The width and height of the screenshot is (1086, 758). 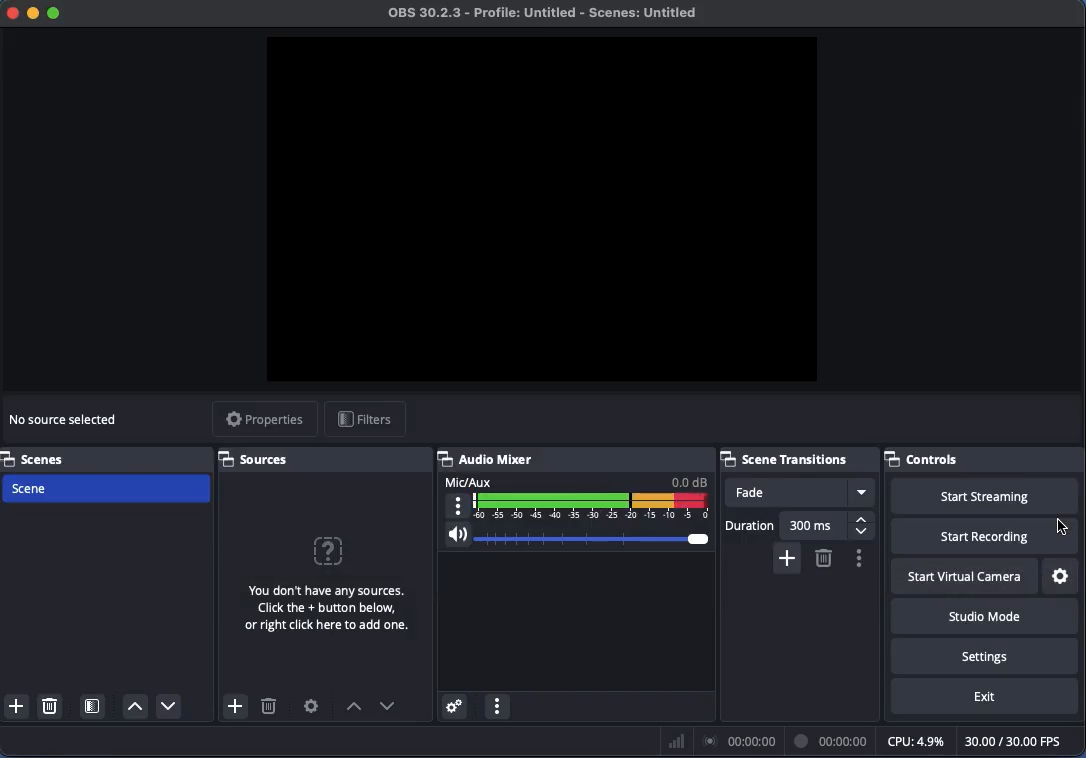 I want to click on Audio mixer menu, so click(x=497, y=707).